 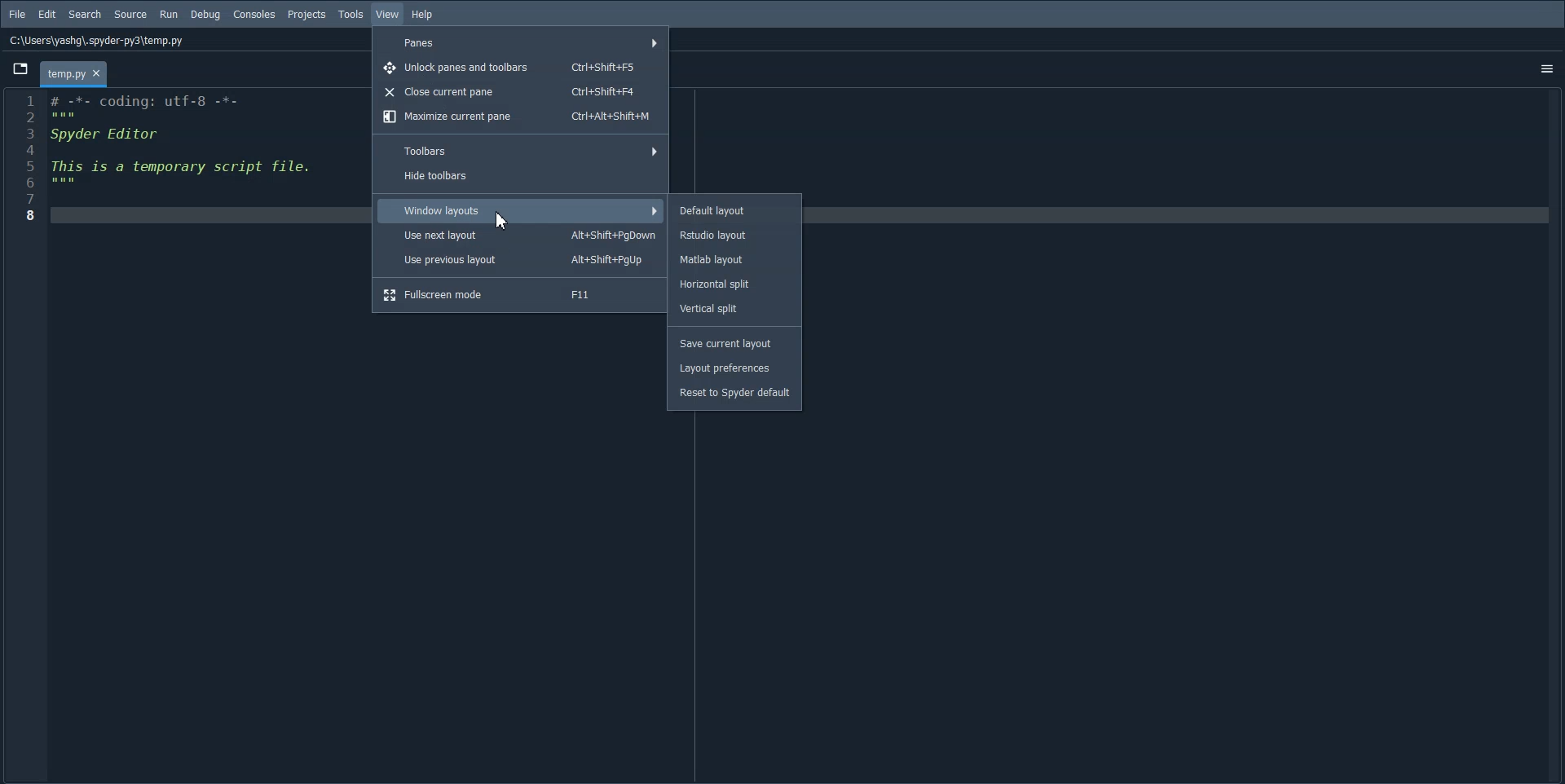 What do you see at coordinates (254, 15) in the screenshot?
I see `Console` at bounding box center [254, 15].